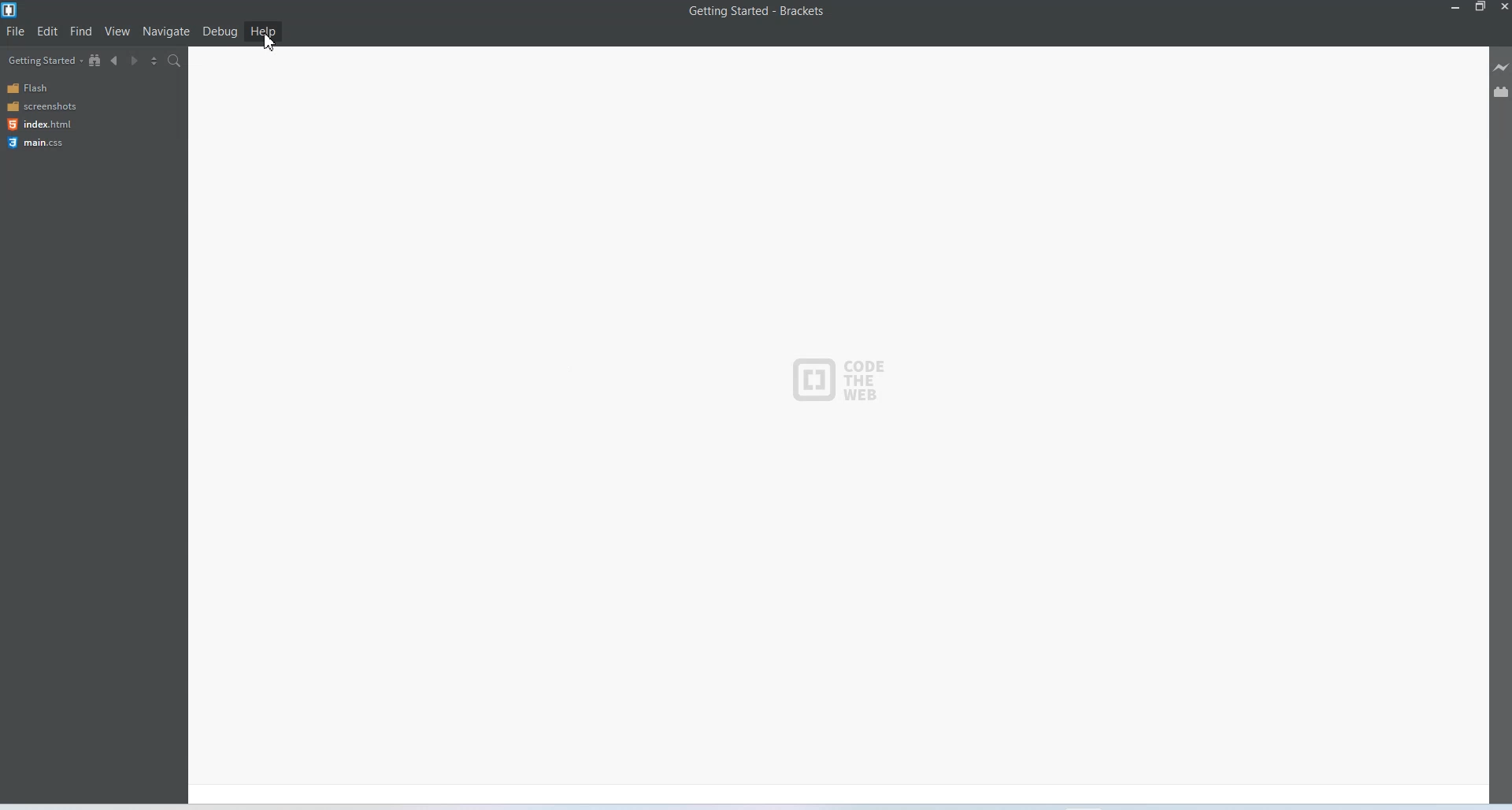 Image resolution: width=1512 pixels, height=810 pixels. What do you see at coordinates (82, 32) in the screenshot?
I see `Find` at bounding box center [82, 32].